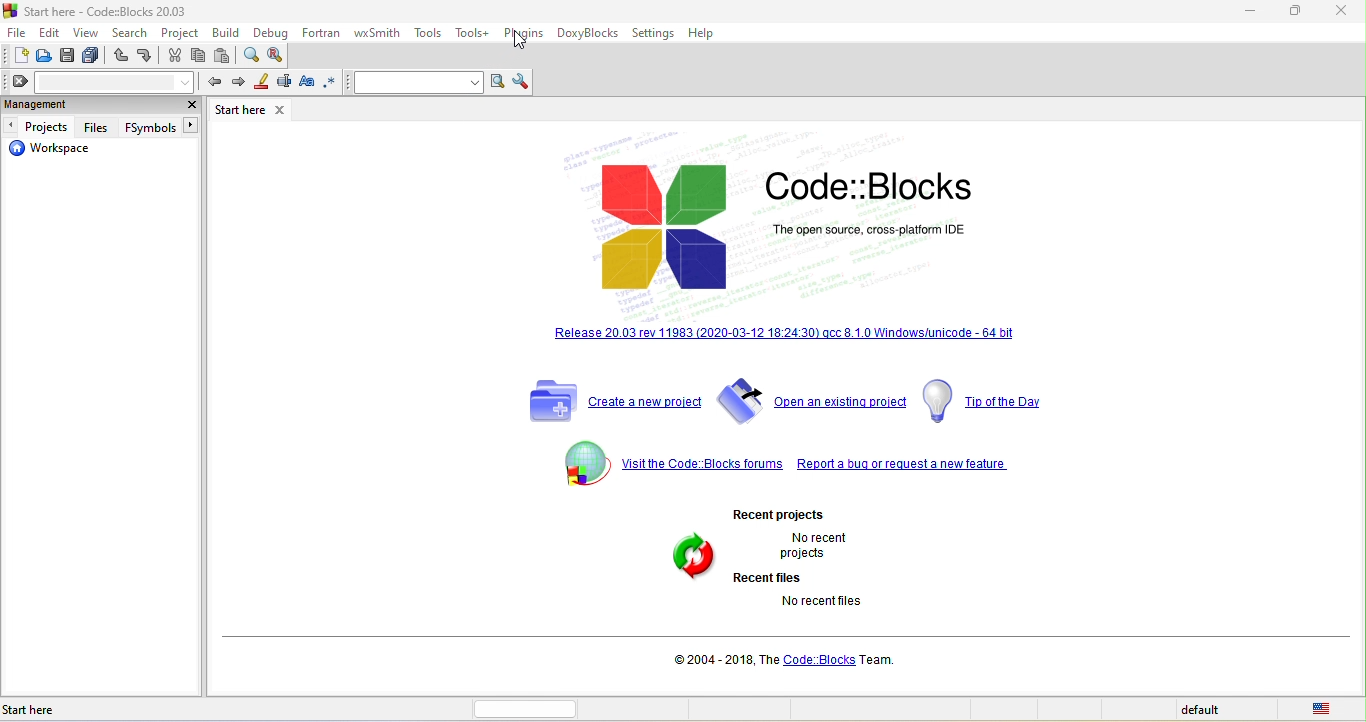 The width and height of the screenshot is (1366, 722). What do you see at coordinates (1203, 711) in the screenshot?
I see `default` at bounding box center [1203, 711].